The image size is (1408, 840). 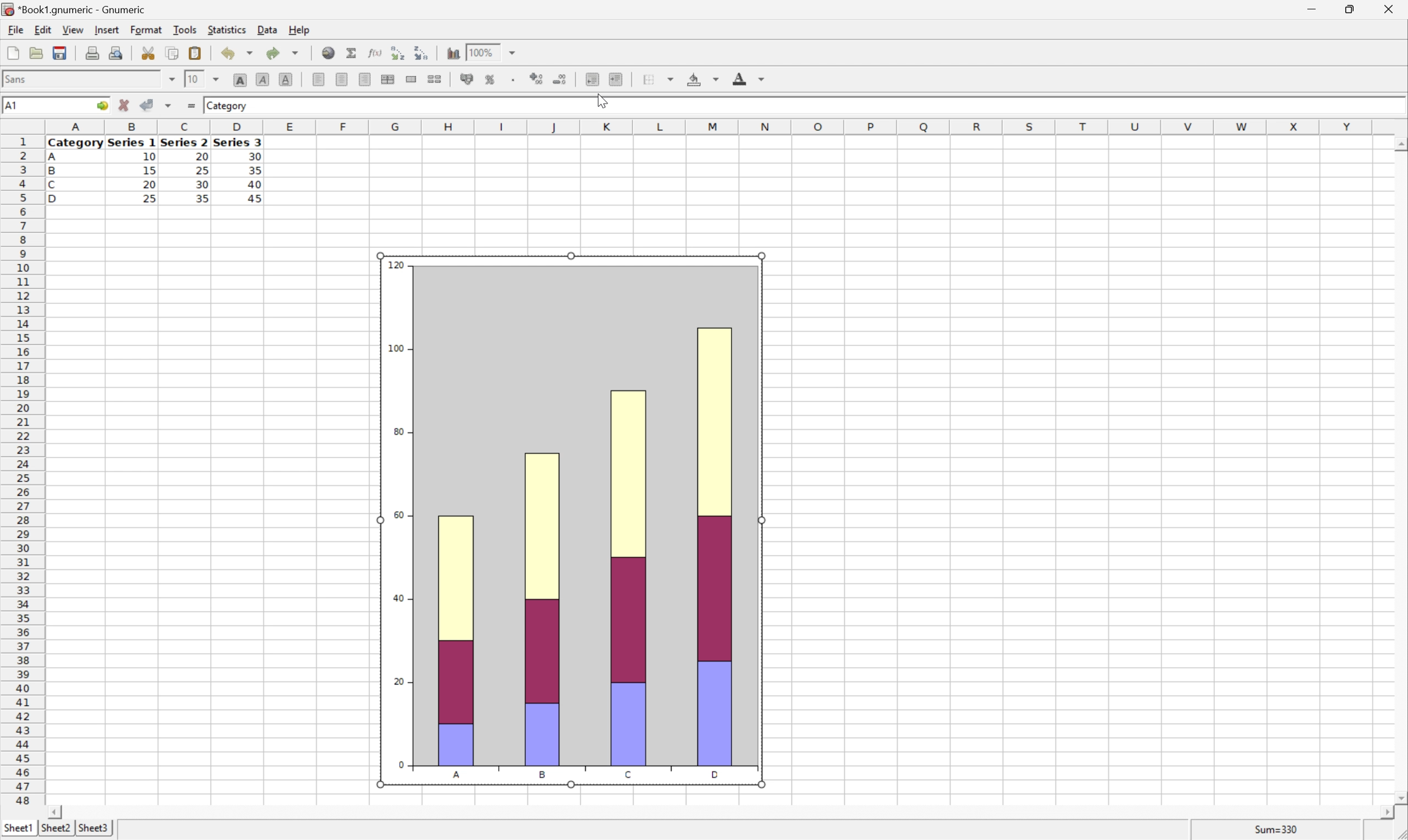 What do you see at coordinates (57, 812) in the screenshot?
I see `Scroll Left` at bounding box center [57, 812].